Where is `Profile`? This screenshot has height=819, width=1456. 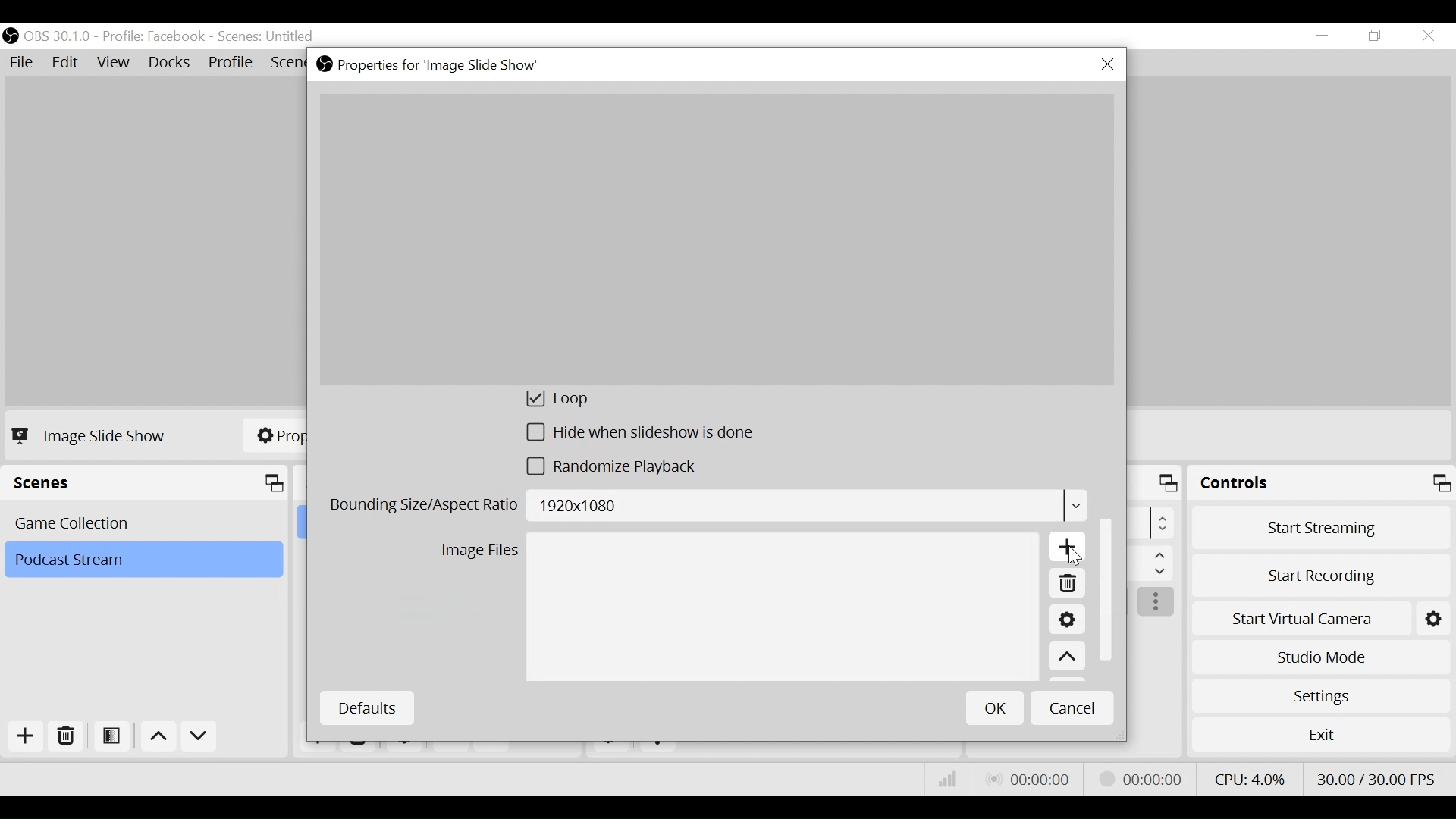
Profile is located at coordinates (231, 64).